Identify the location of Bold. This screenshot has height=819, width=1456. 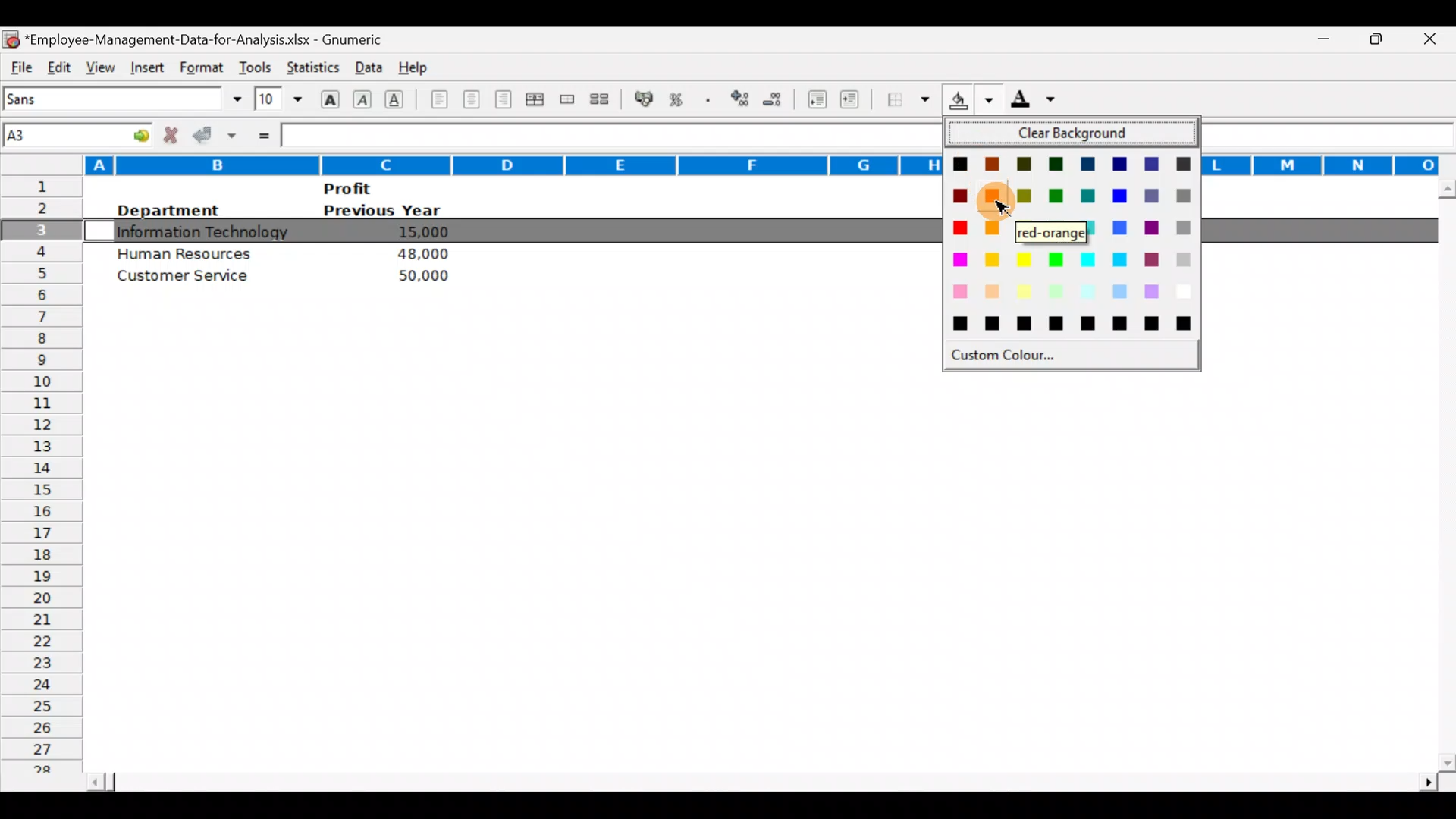
(328, 98).